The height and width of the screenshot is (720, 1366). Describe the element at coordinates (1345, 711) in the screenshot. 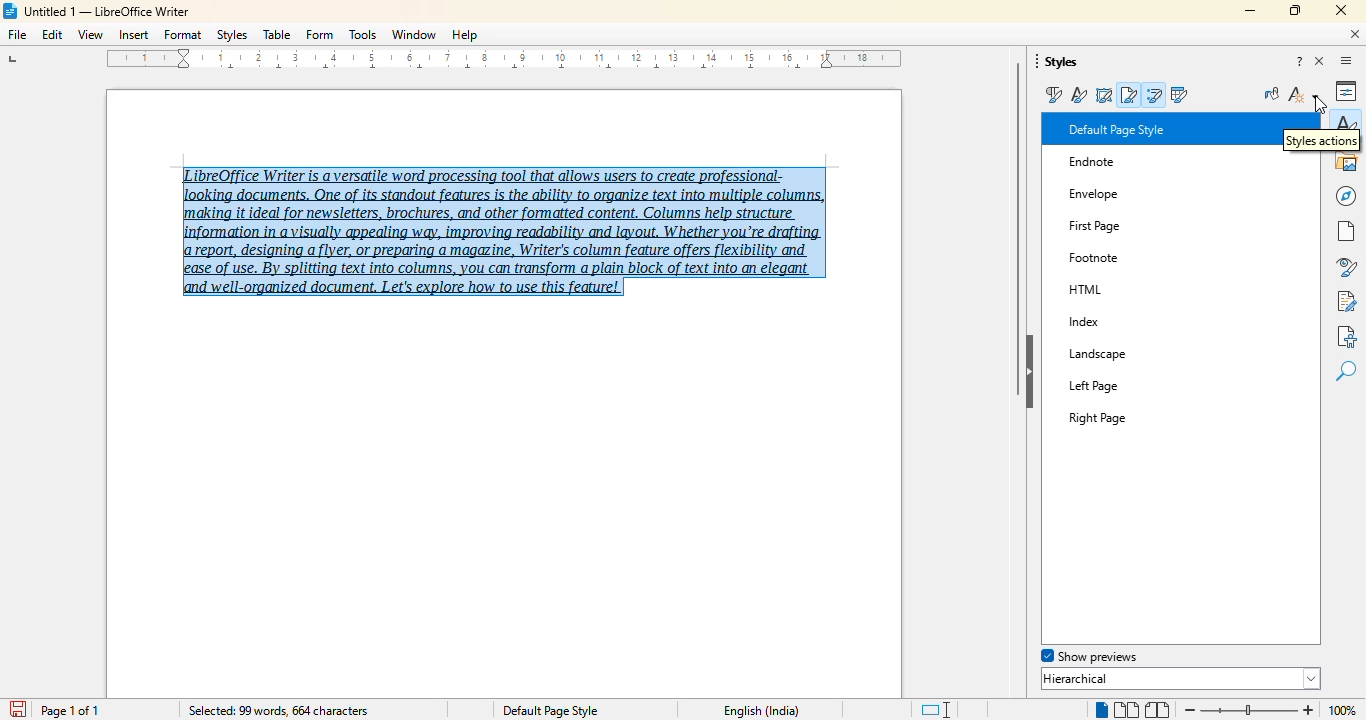

I see `100% (change zoom level)` at that location.